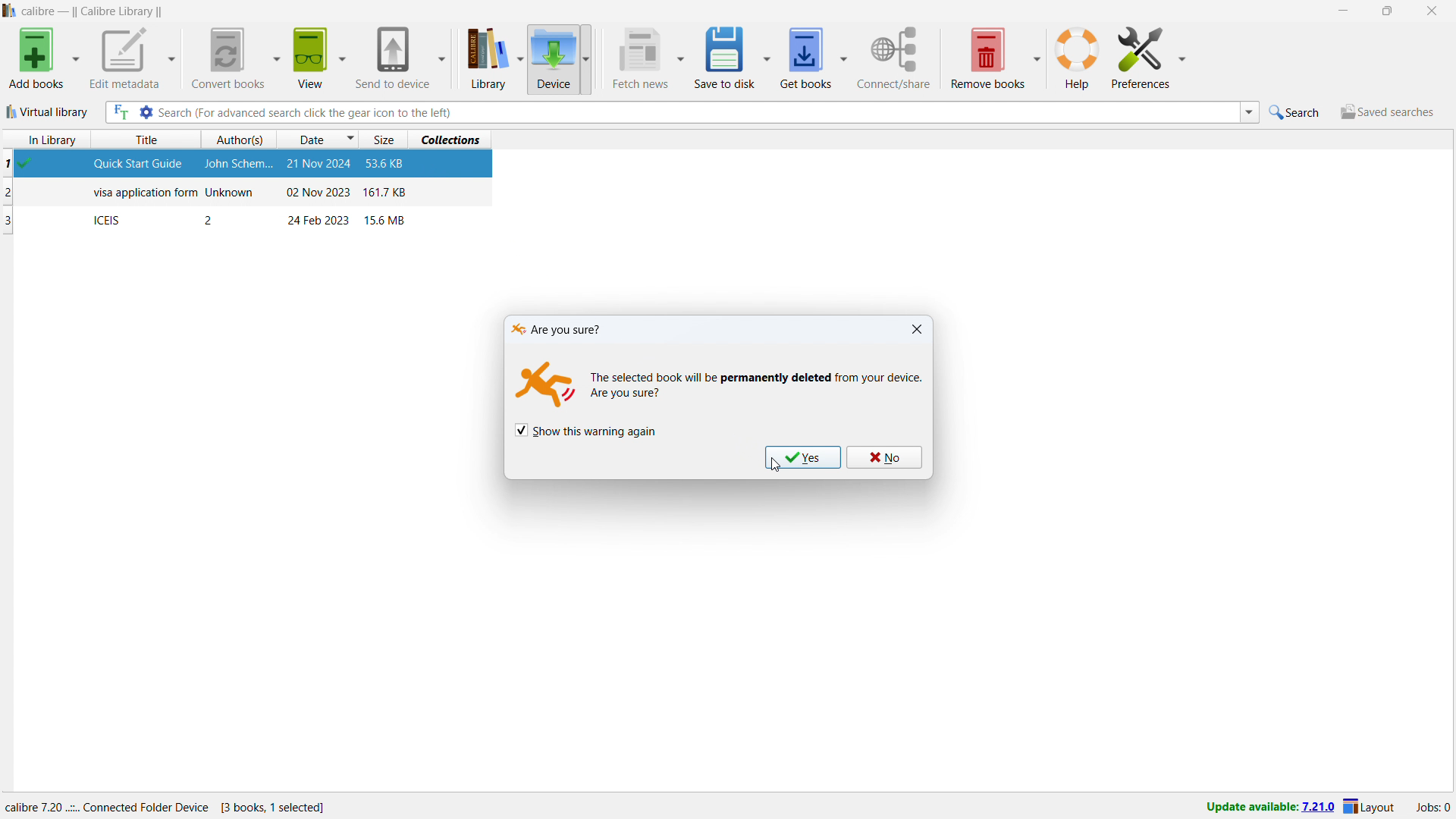 This screenshot has height=819, width=1456. Describe the element at coordinates (35, 59) in the screenshot. I see `Add books` at that location.